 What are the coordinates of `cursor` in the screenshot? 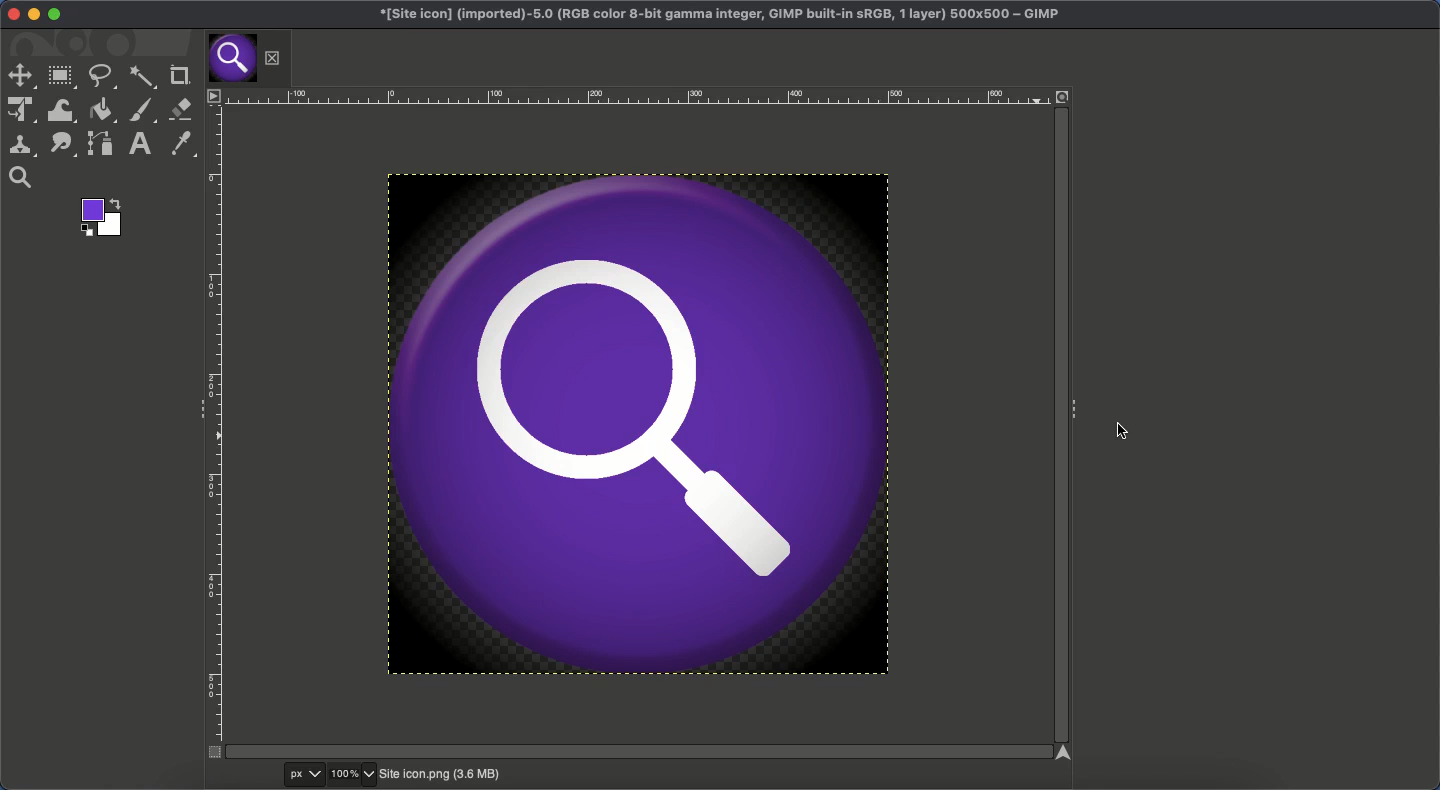 It's located at (1120, 431).